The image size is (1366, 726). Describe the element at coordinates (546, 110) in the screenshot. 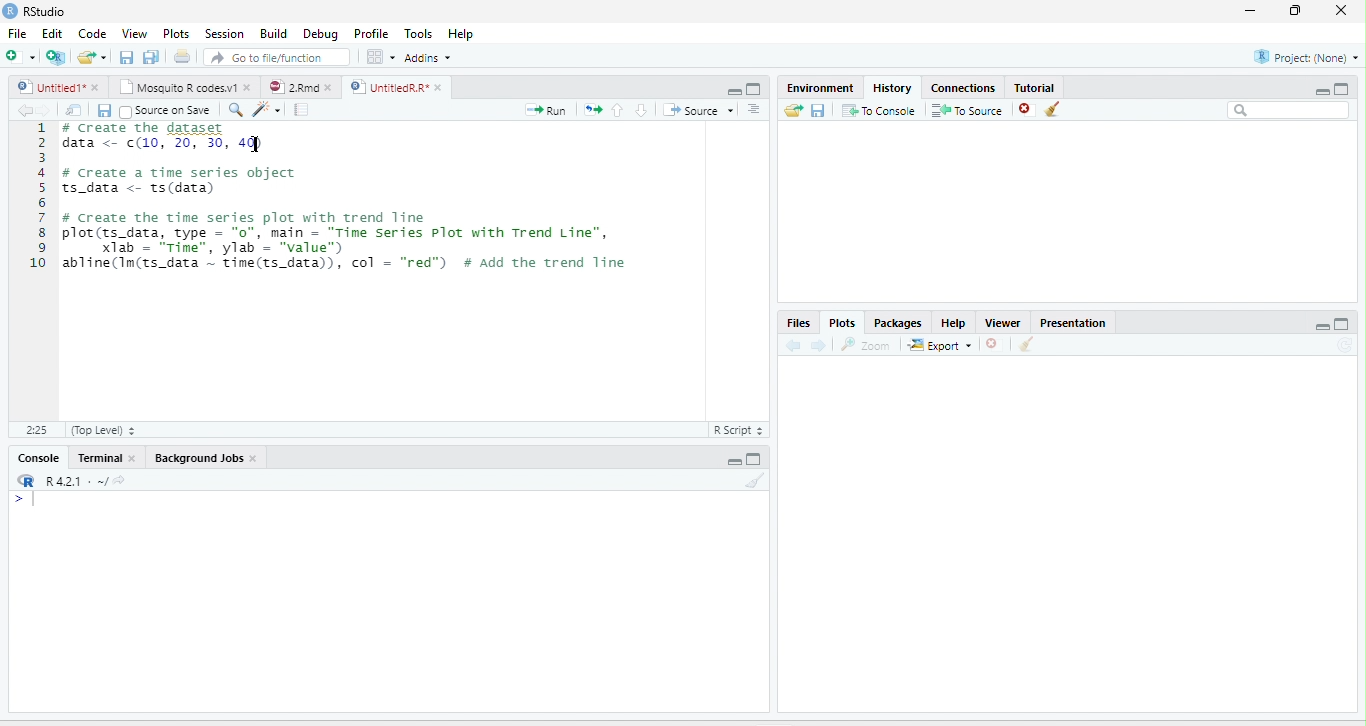

I see `Run` at that location.